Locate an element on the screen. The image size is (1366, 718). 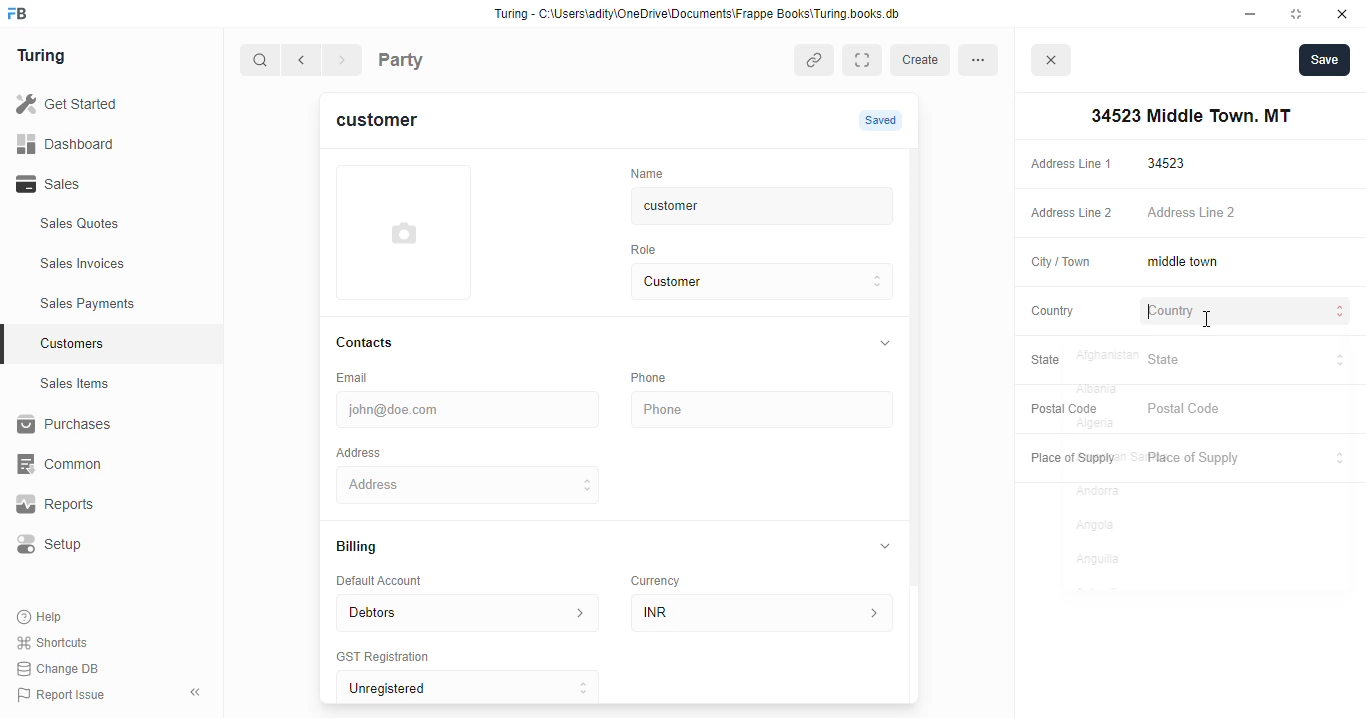
Customer is located at coordinates (746, 282).